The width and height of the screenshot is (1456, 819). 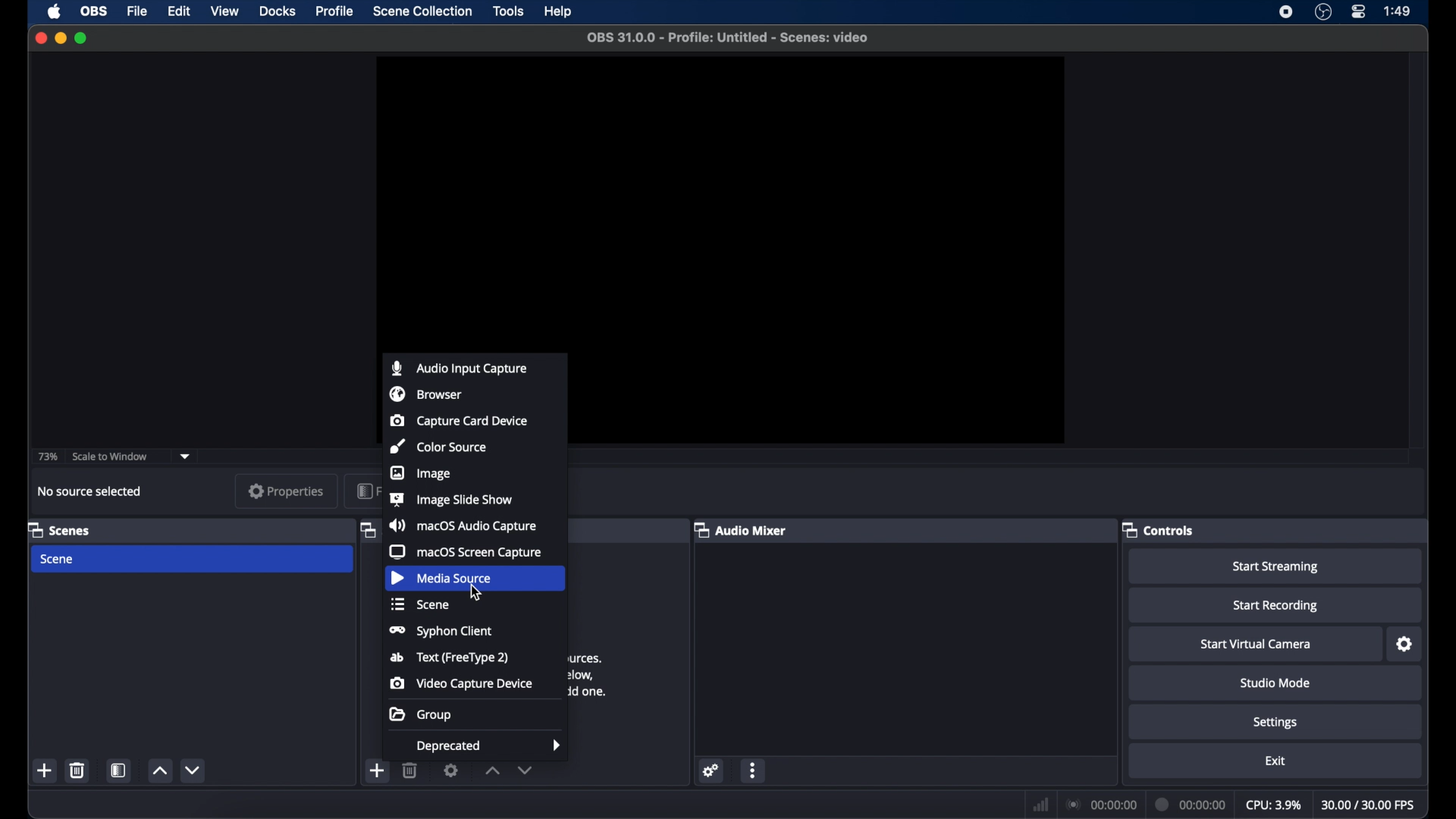 I want to click on scene filters, so click(x=119, y=769).